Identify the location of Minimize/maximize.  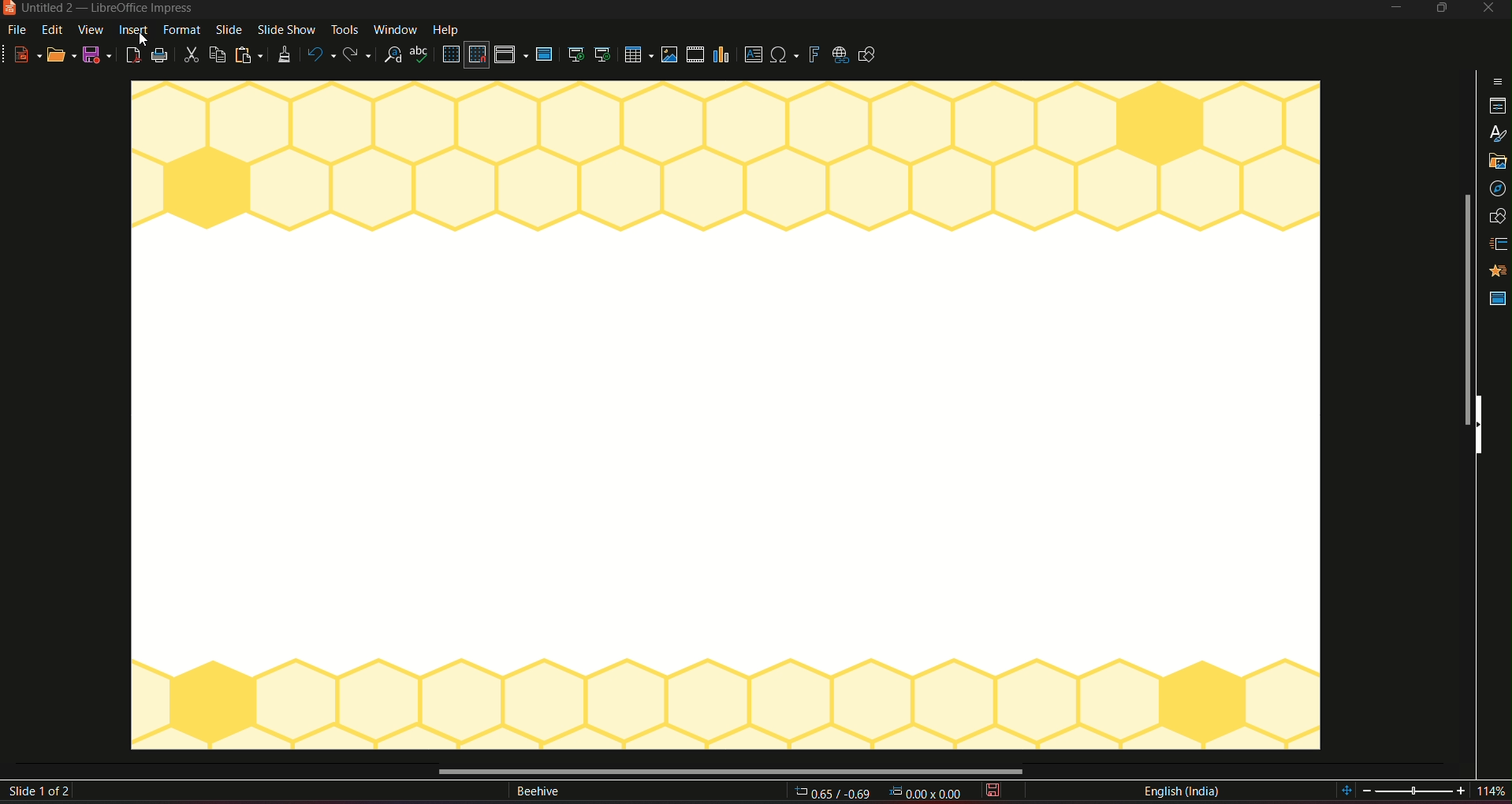
(1440, 9).